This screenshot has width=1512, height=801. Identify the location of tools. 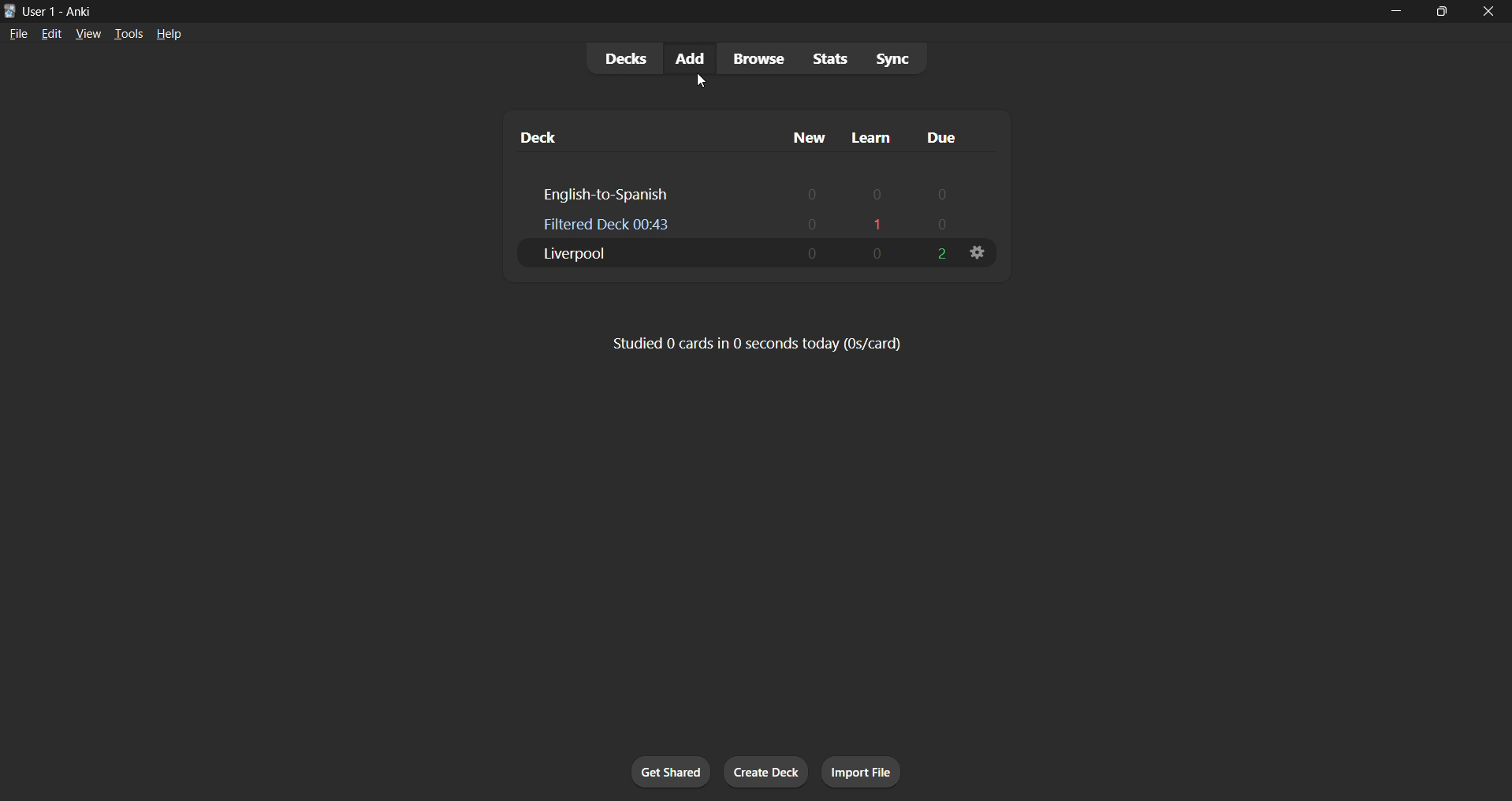
(128, 32).